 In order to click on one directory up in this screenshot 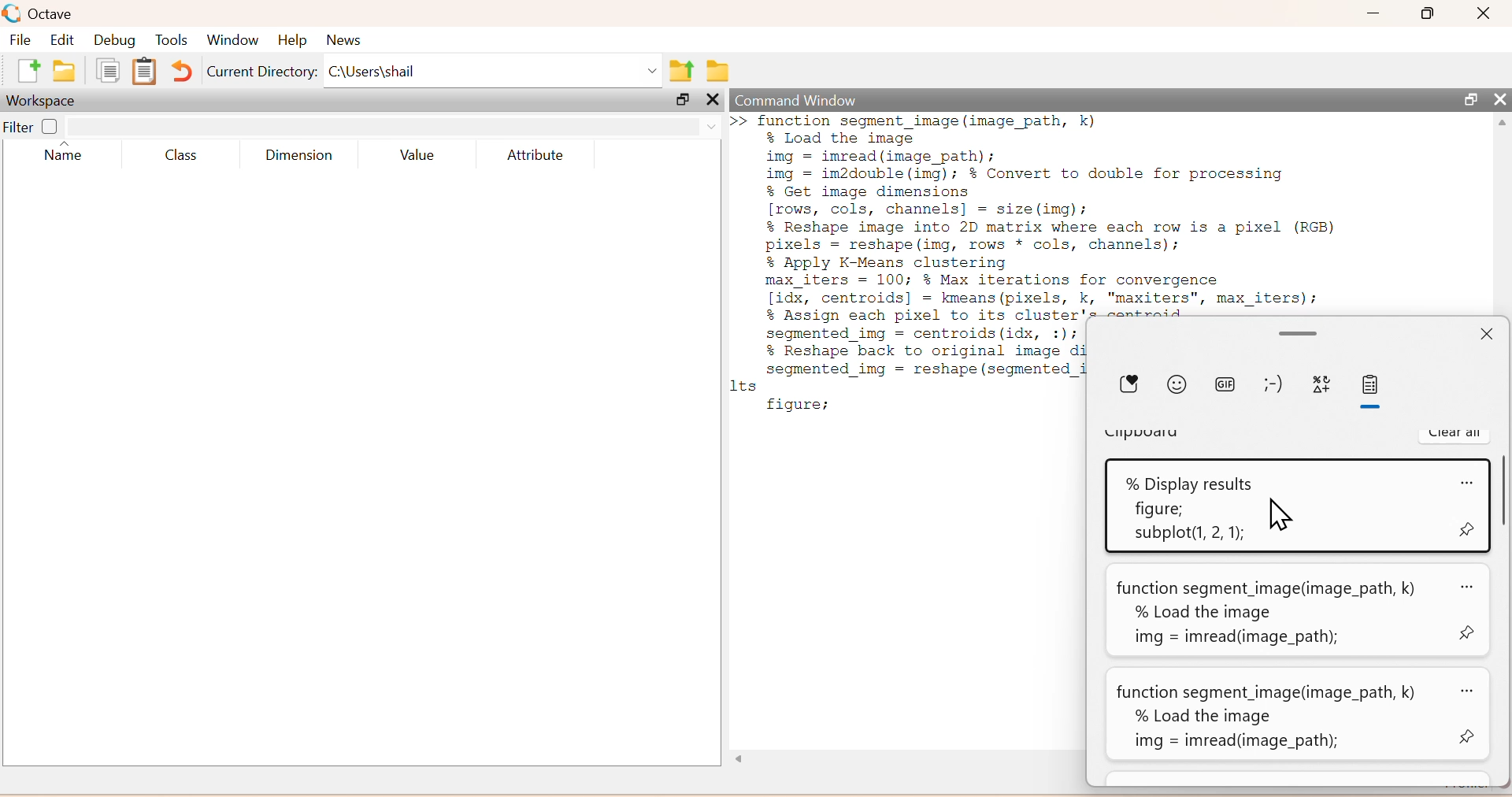, I will do `click(684, 72)`.